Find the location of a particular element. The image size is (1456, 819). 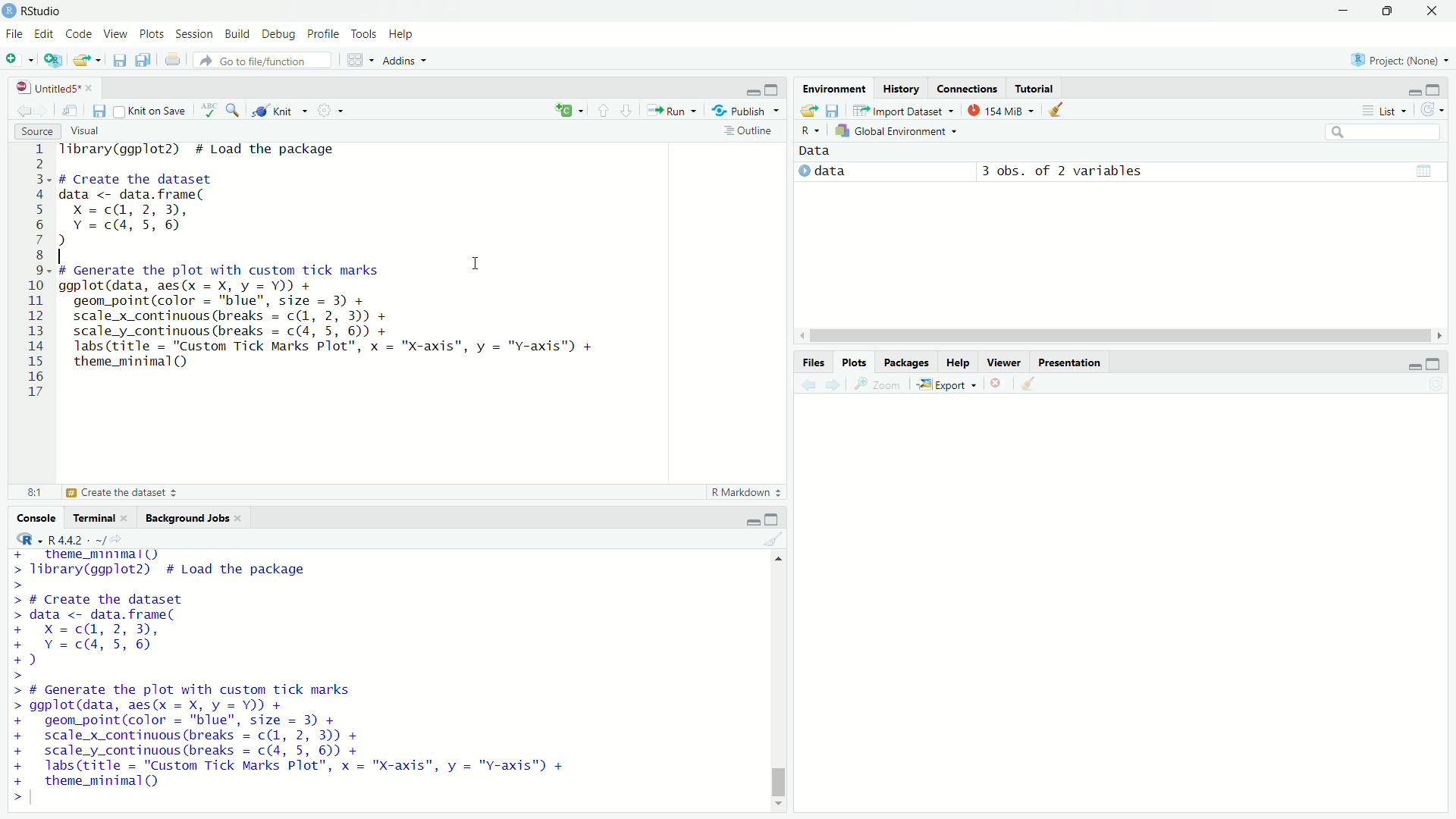

settings is located at coordinates (334, 111).